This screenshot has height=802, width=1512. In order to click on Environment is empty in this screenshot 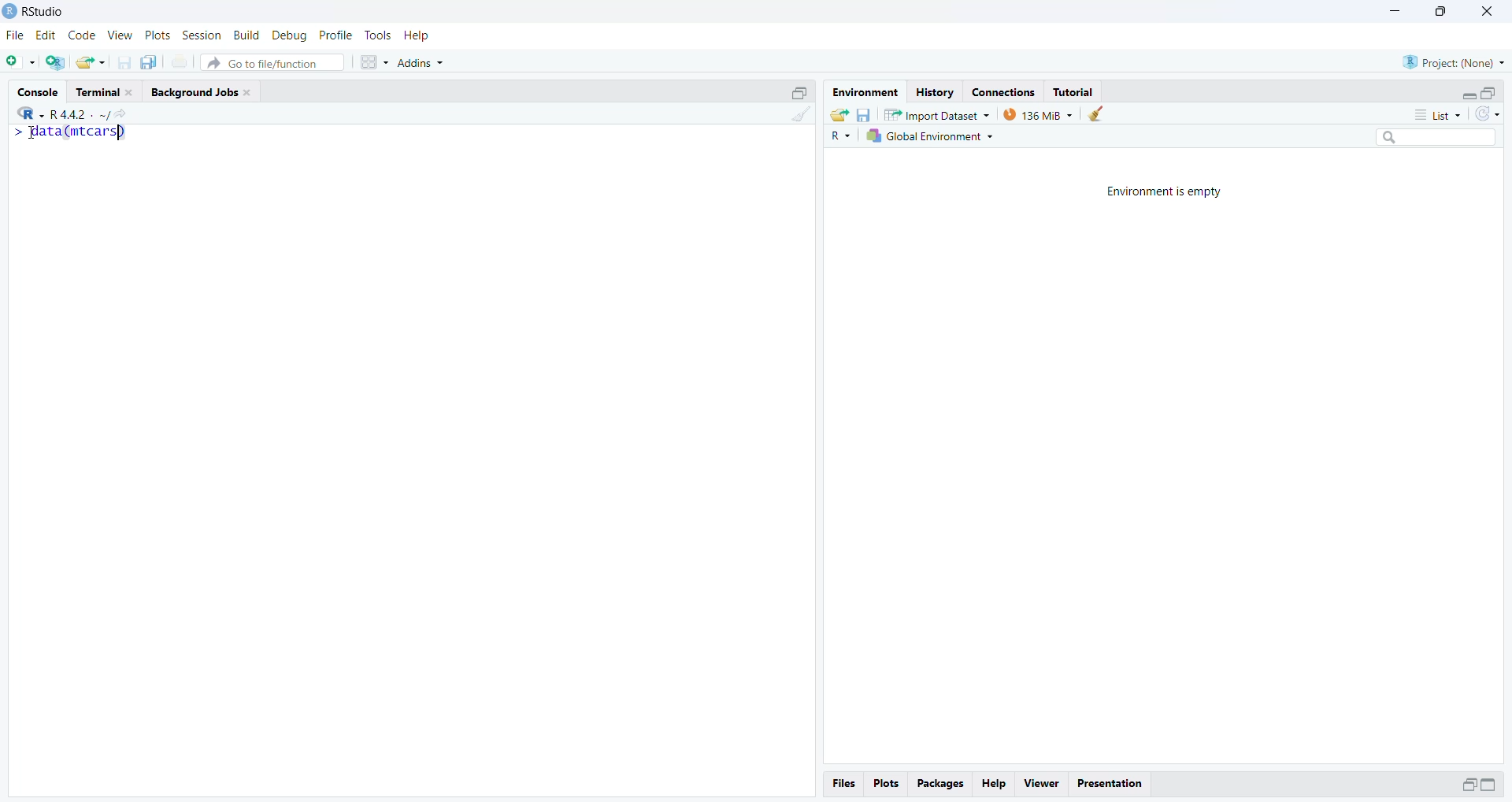, I will do `click(1165, 190)`.